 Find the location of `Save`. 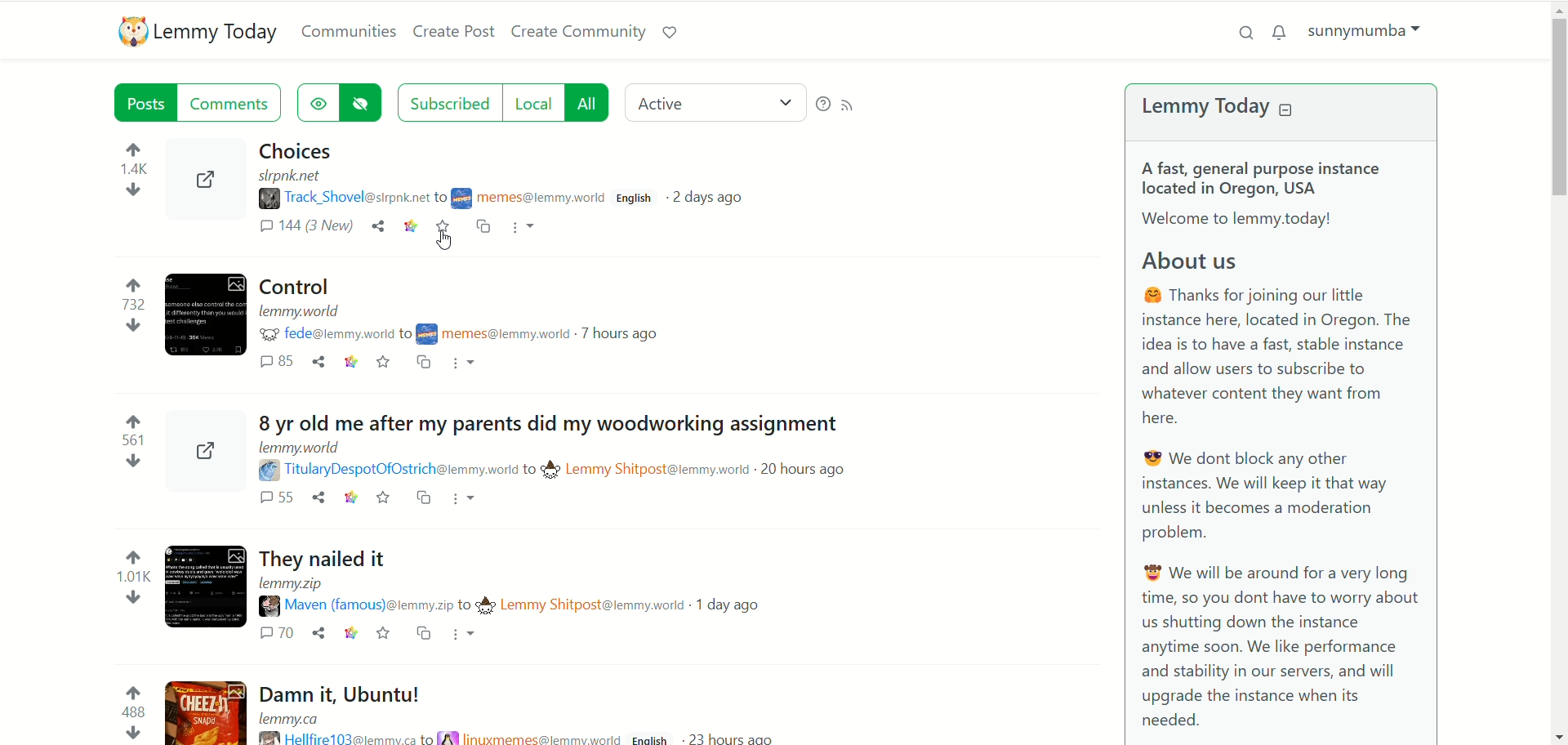

Save is located at coordinates (385, 363).